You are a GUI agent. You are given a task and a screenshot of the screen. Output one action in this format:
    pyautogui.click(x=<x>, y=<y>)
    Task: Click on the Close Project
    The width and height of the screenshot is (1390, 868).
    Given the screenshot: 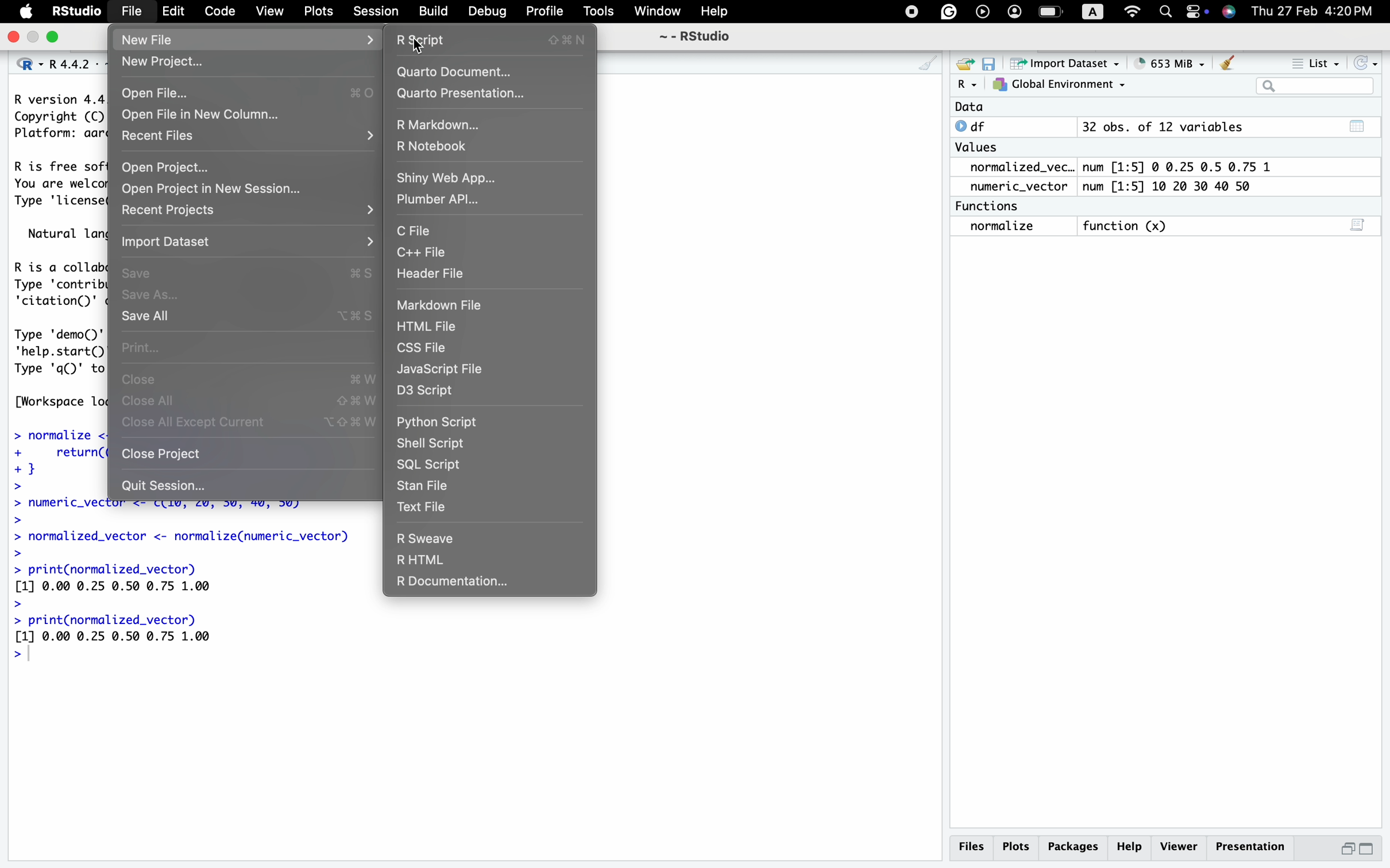 What is the action you would take?
    pyautogui.click(x=161, y=453)
    